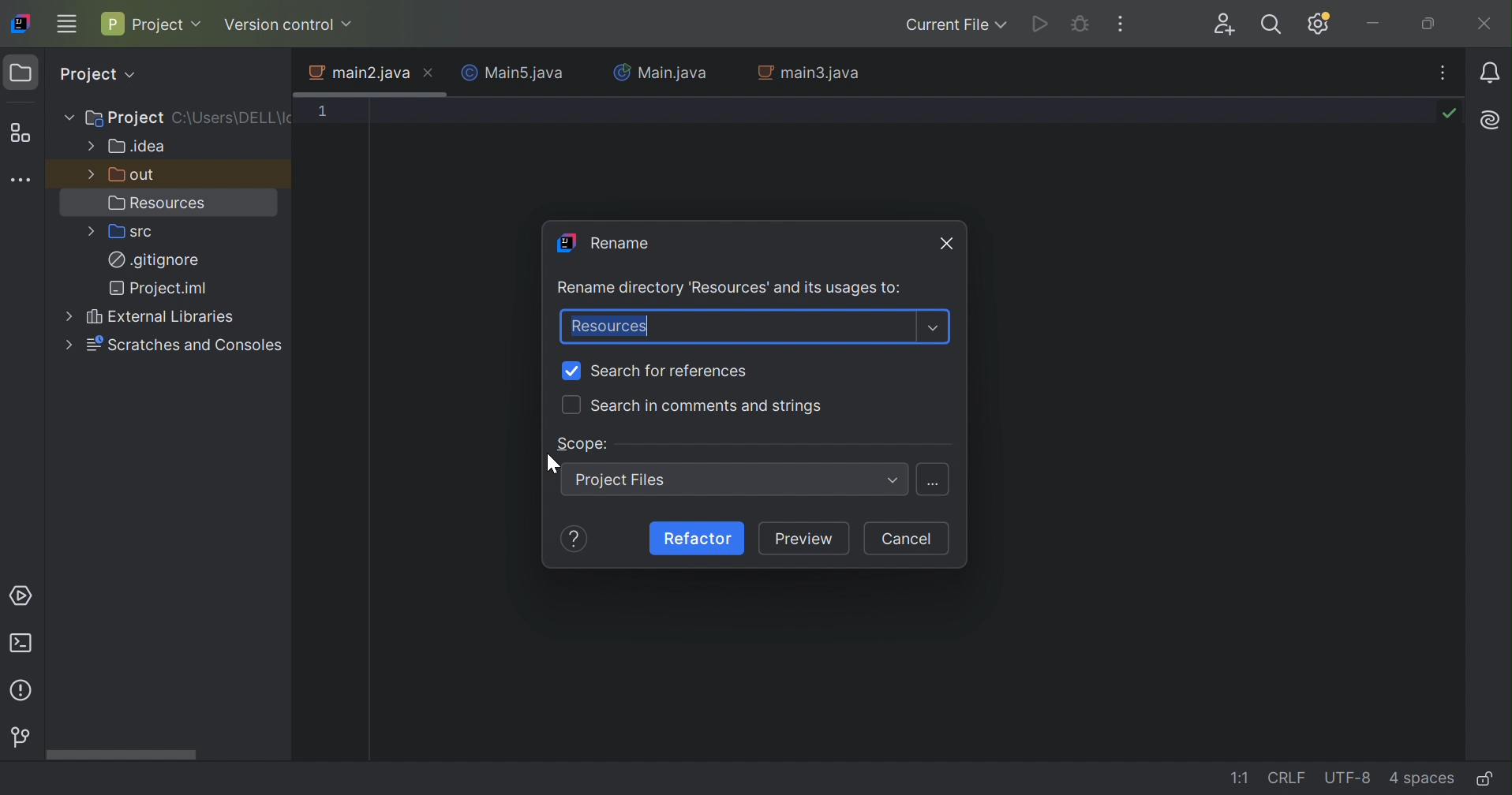  What do you see at coordinates (607, 327) in the screenshot?
I see `Resources` at bounding box center [607, 327].